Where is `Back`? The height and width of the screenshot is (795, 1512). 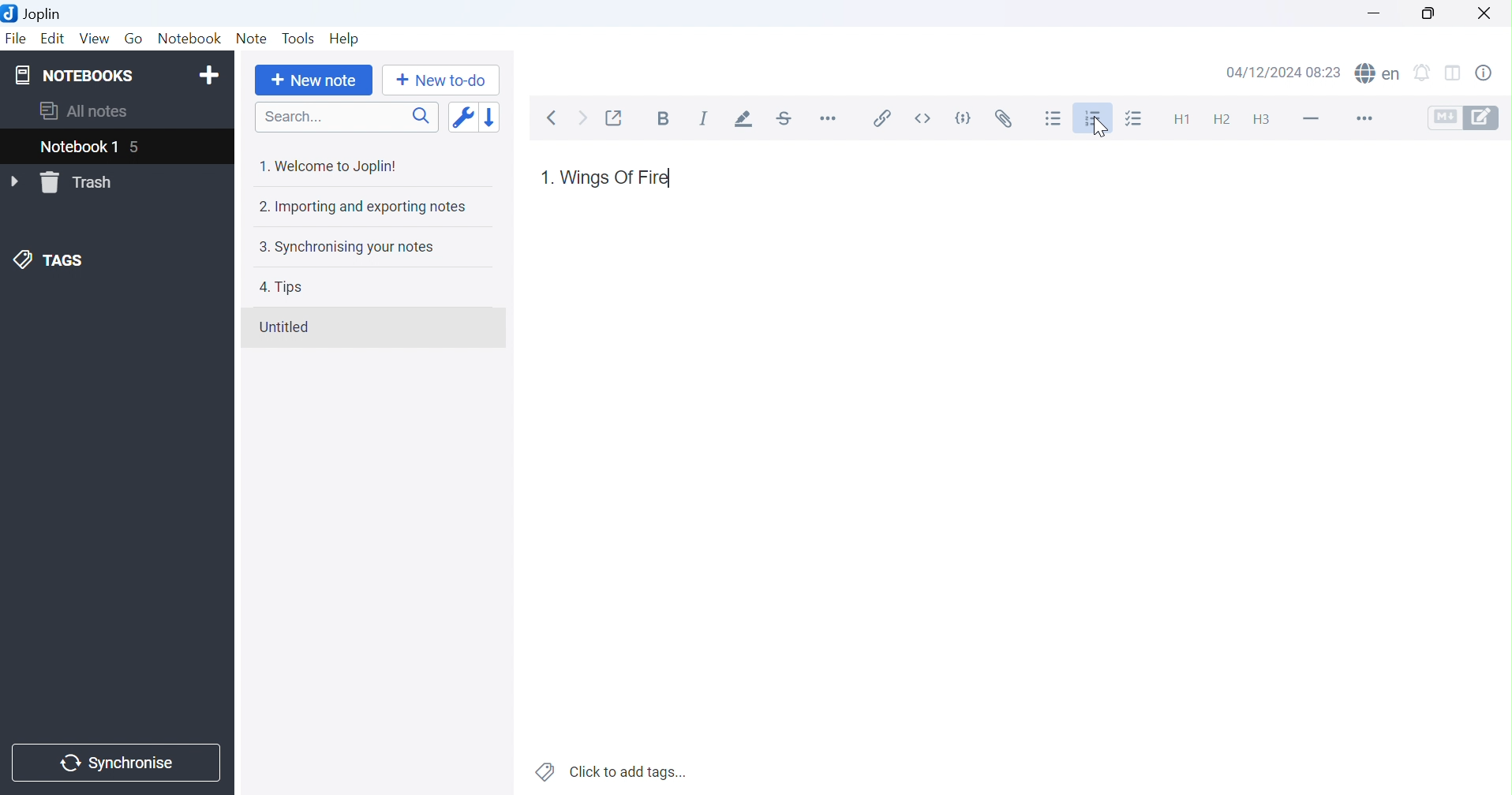 Back is located at coordinates (556, 118).